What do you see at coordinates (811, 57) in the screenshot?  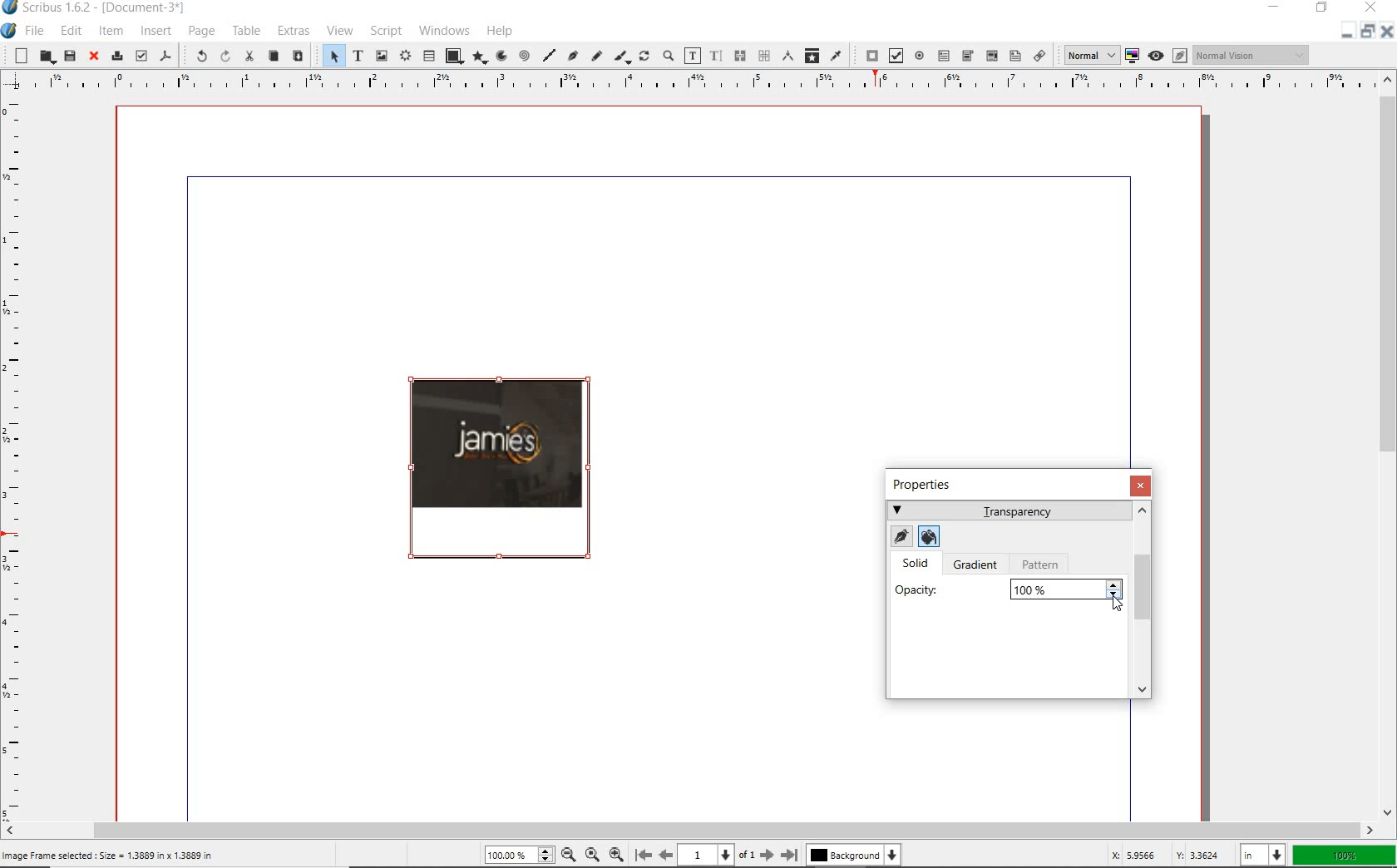 I see `copy item properties` at bounding box center [811, 57].